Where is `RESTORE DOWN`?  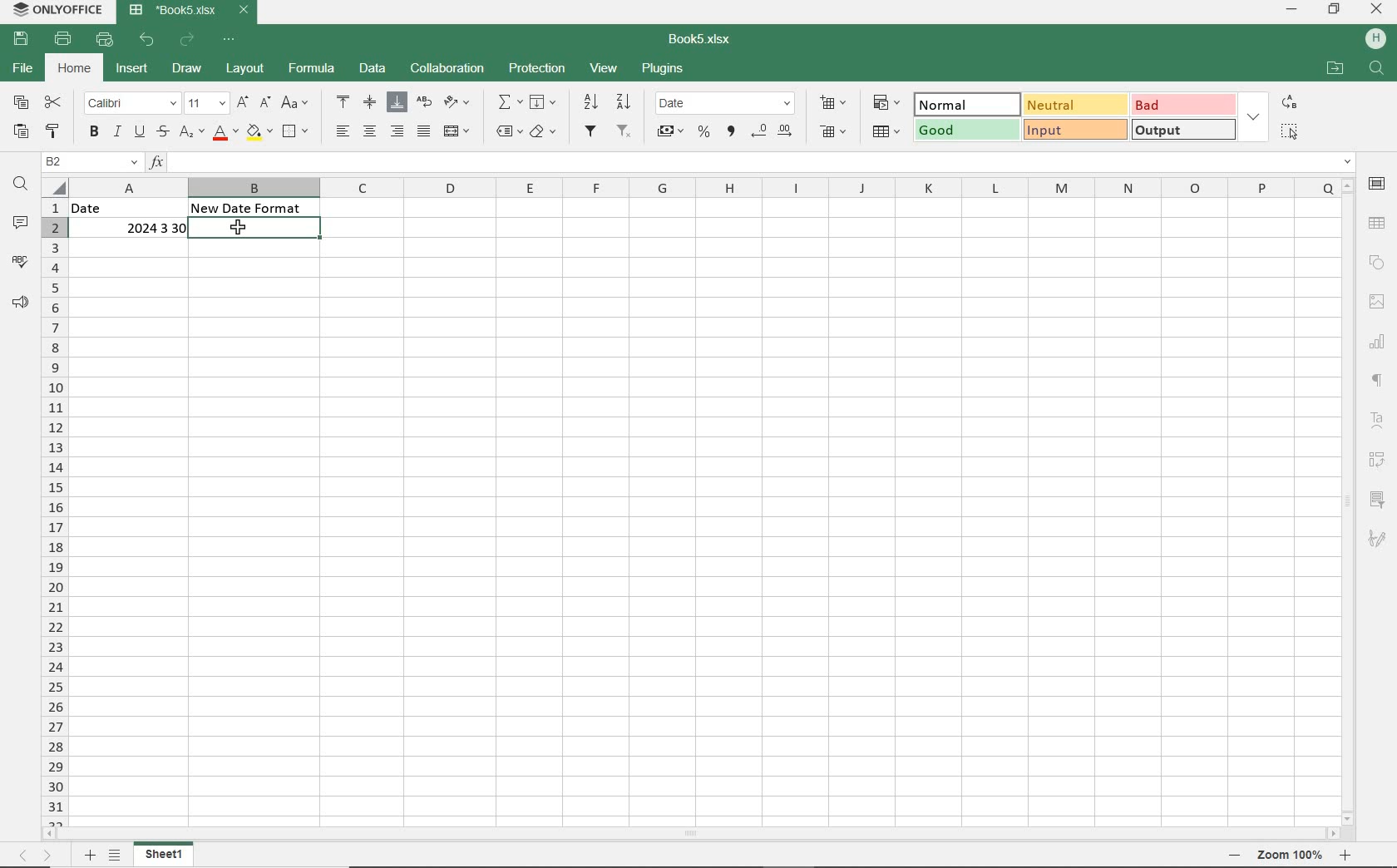 RESTORE DOWN is located at coordinates (1334, 9).